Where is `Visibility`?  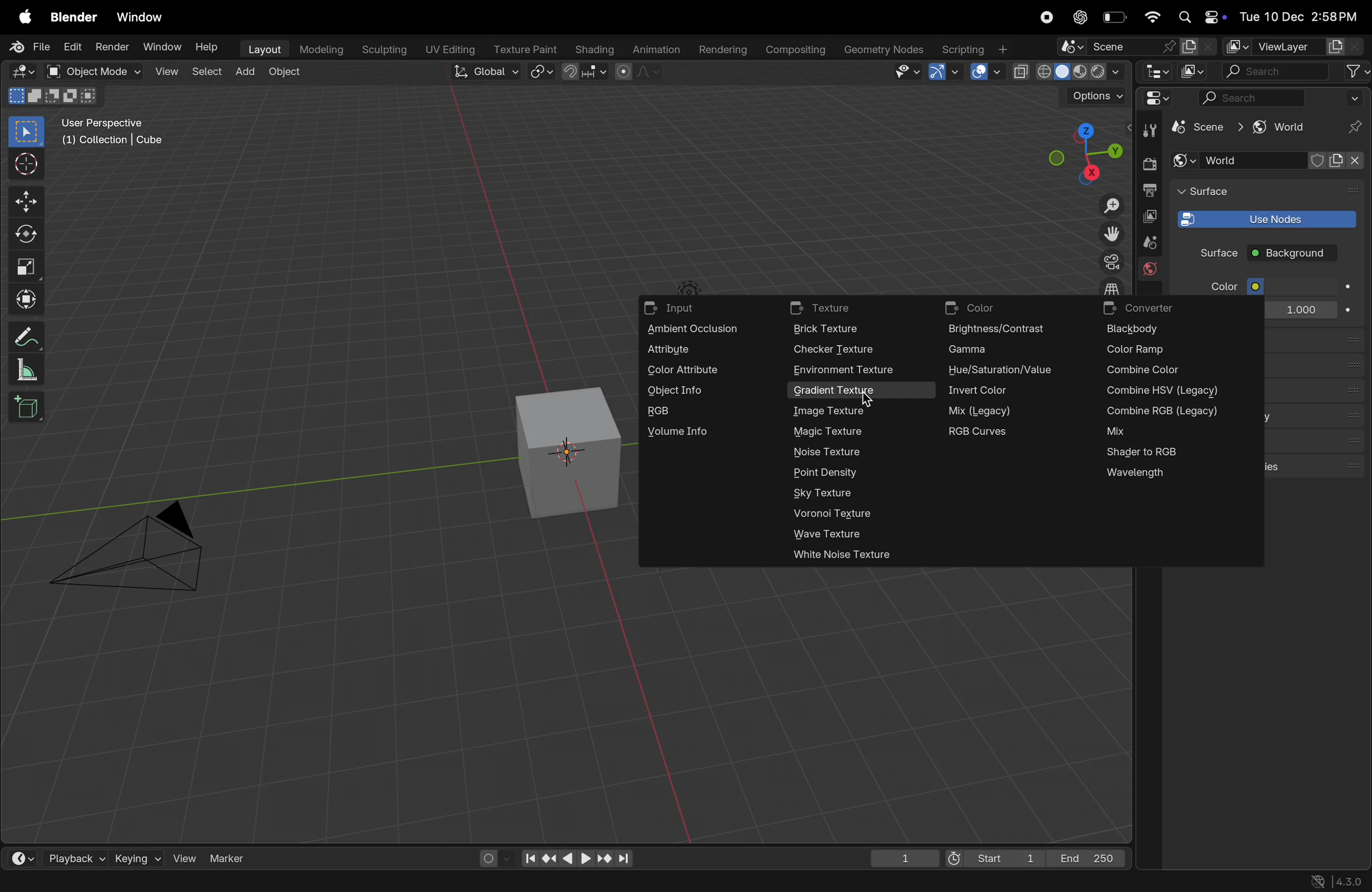
Visibility is located at coordinates (909, 73).